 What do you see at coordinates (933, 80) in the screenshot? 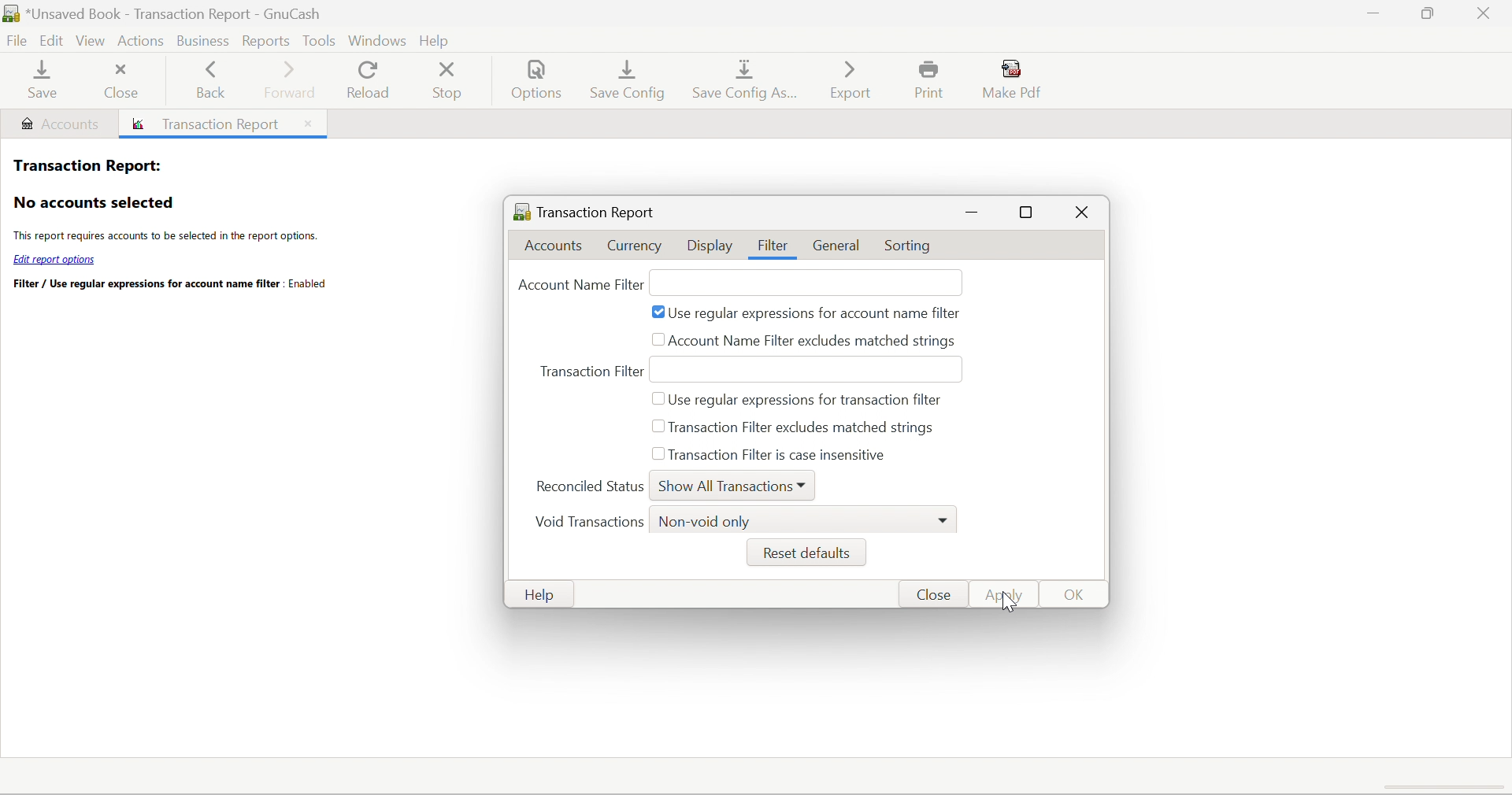
I see `Print` at bounding box center [933, 80].